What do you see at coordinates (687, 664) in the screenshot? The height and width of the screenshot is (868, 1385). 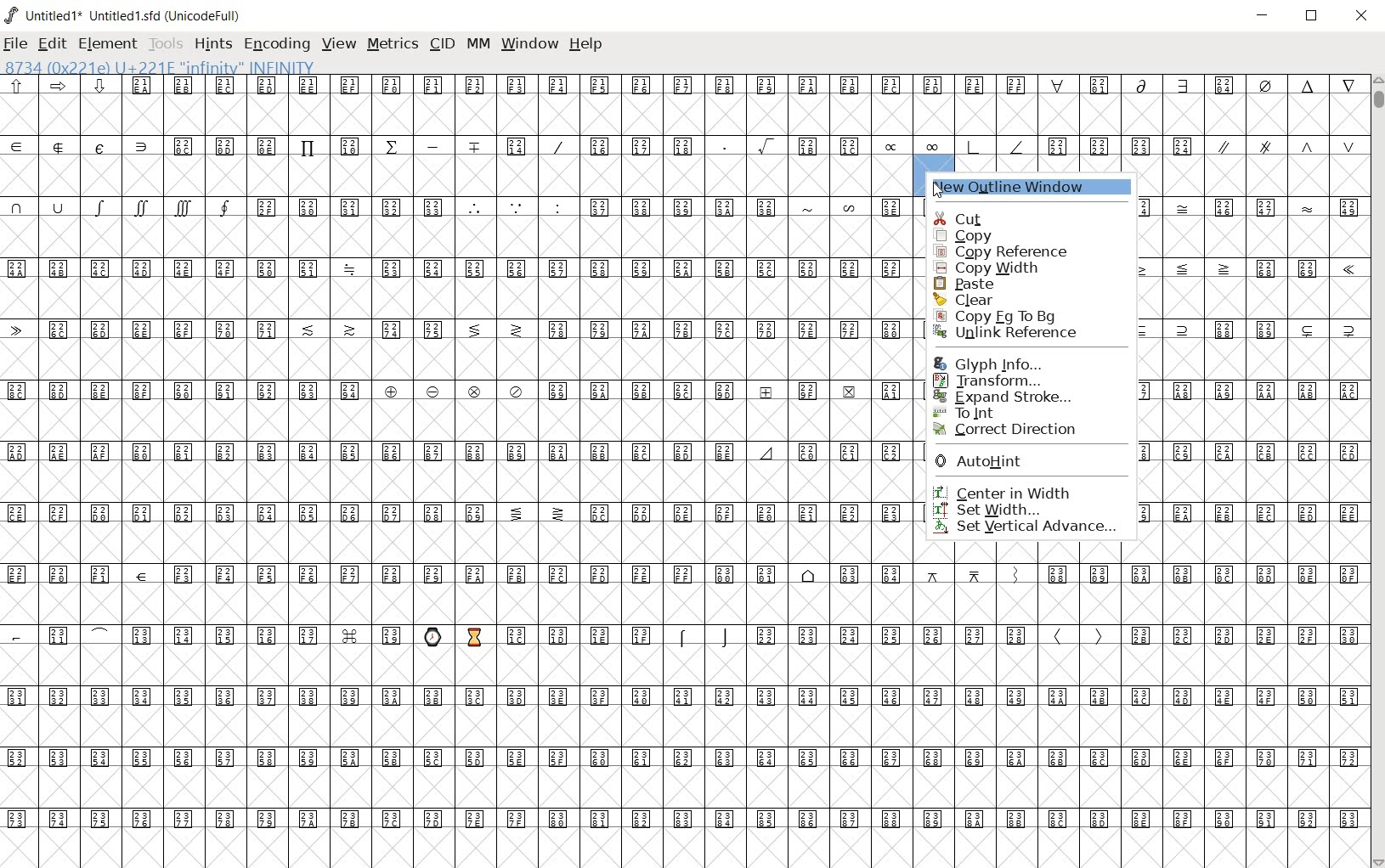 I see `empty glyph slots` at bounding box center [687, 664].